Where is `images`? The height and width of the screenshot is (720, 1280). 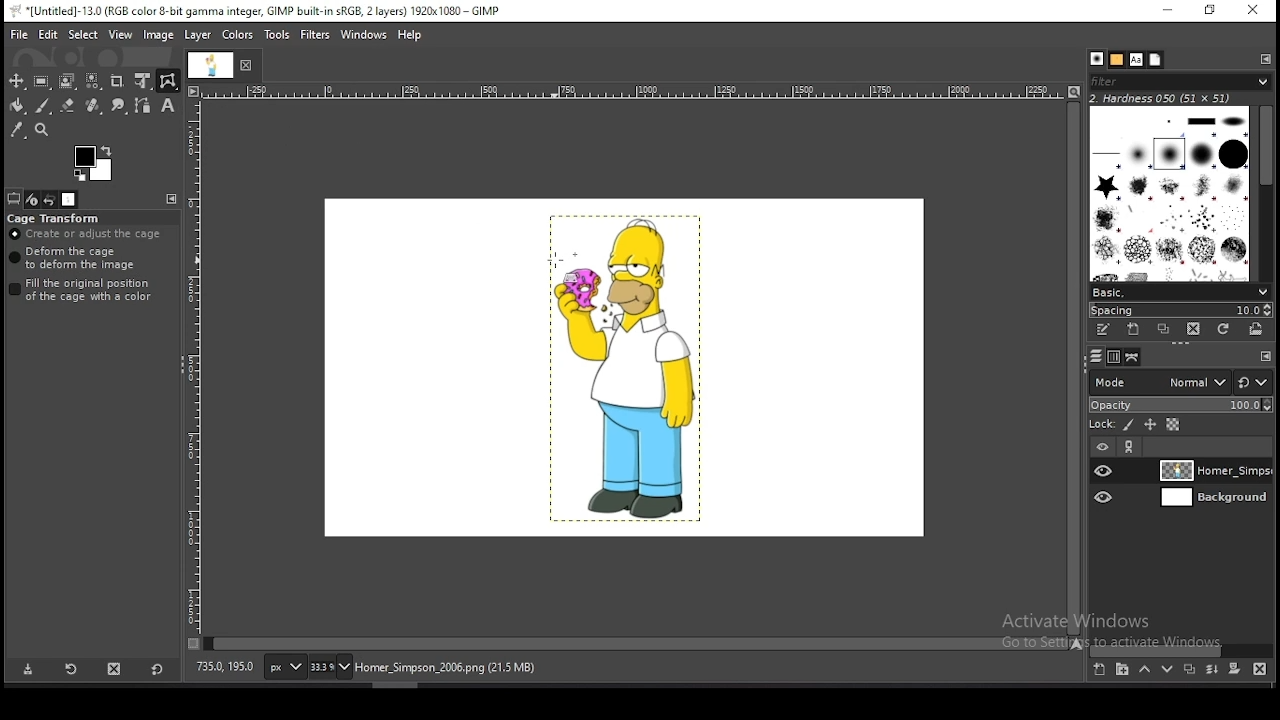 images is located at coordinates (70, 200).